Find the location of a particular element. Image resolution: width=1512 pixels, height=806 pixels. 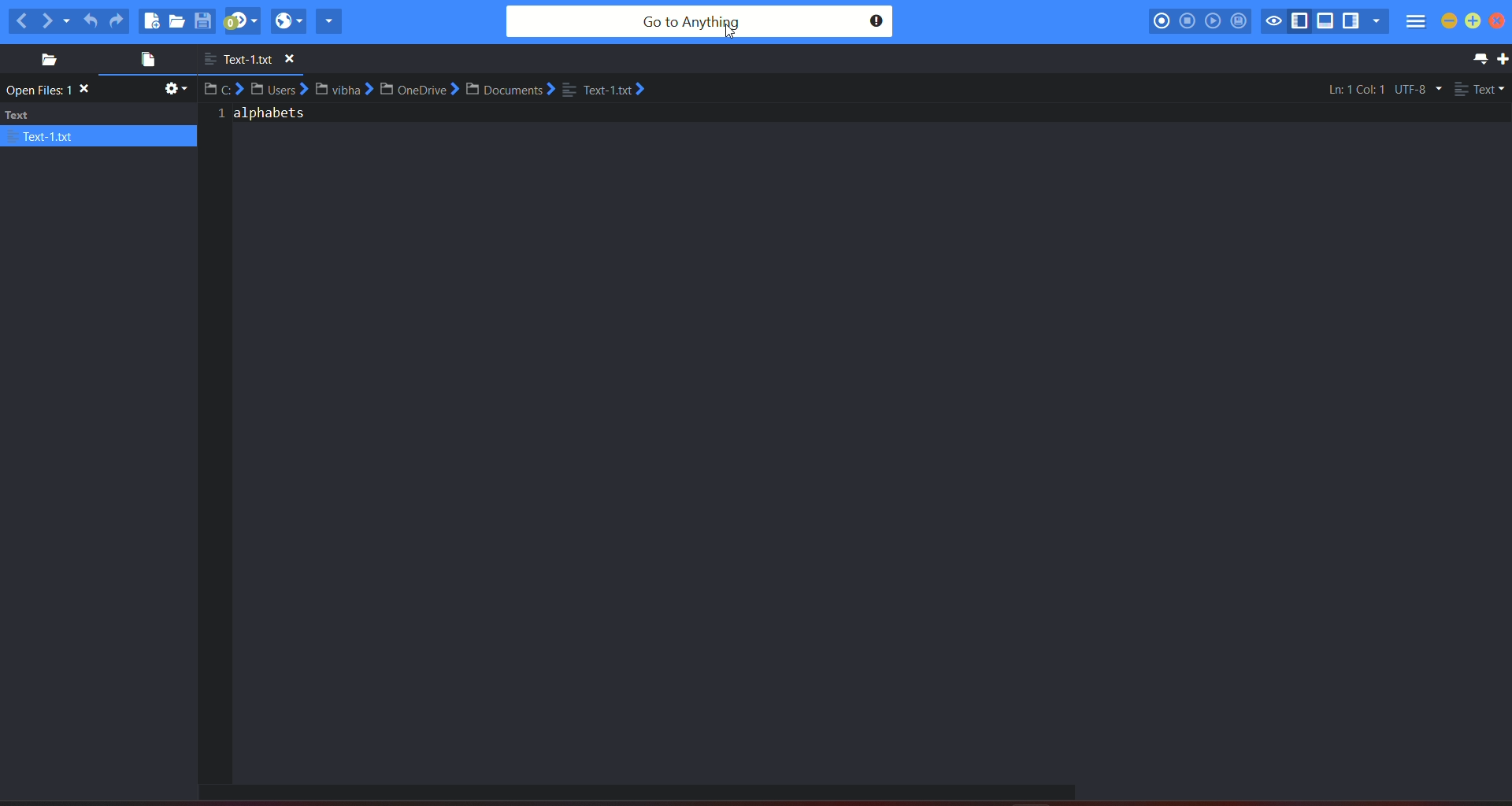

redo is located at coordinates (117, 20).